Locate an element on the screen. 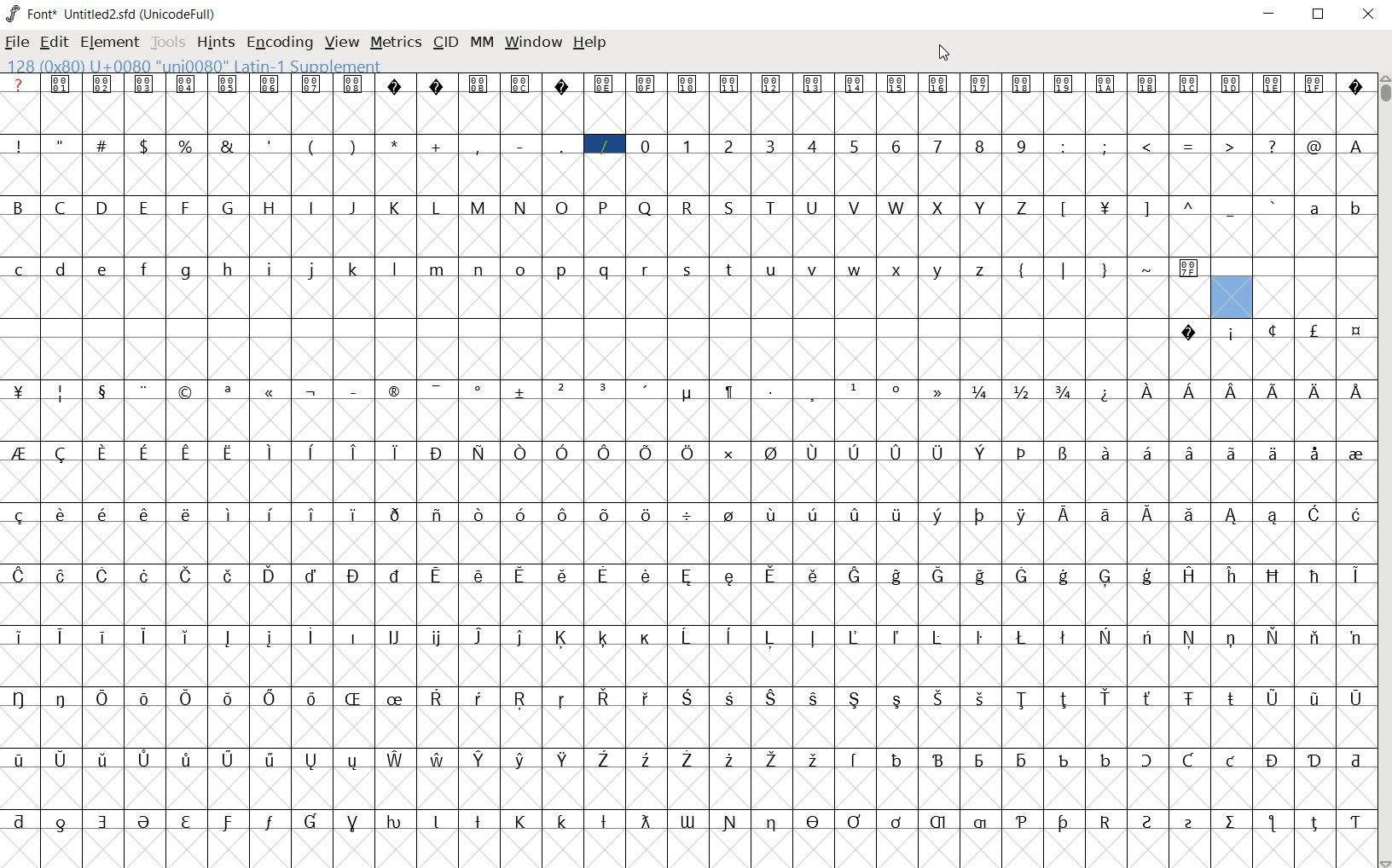 Image resolution: width=1392 pixels, height=868 pixels. glyph is located at coordinates (478, 637).